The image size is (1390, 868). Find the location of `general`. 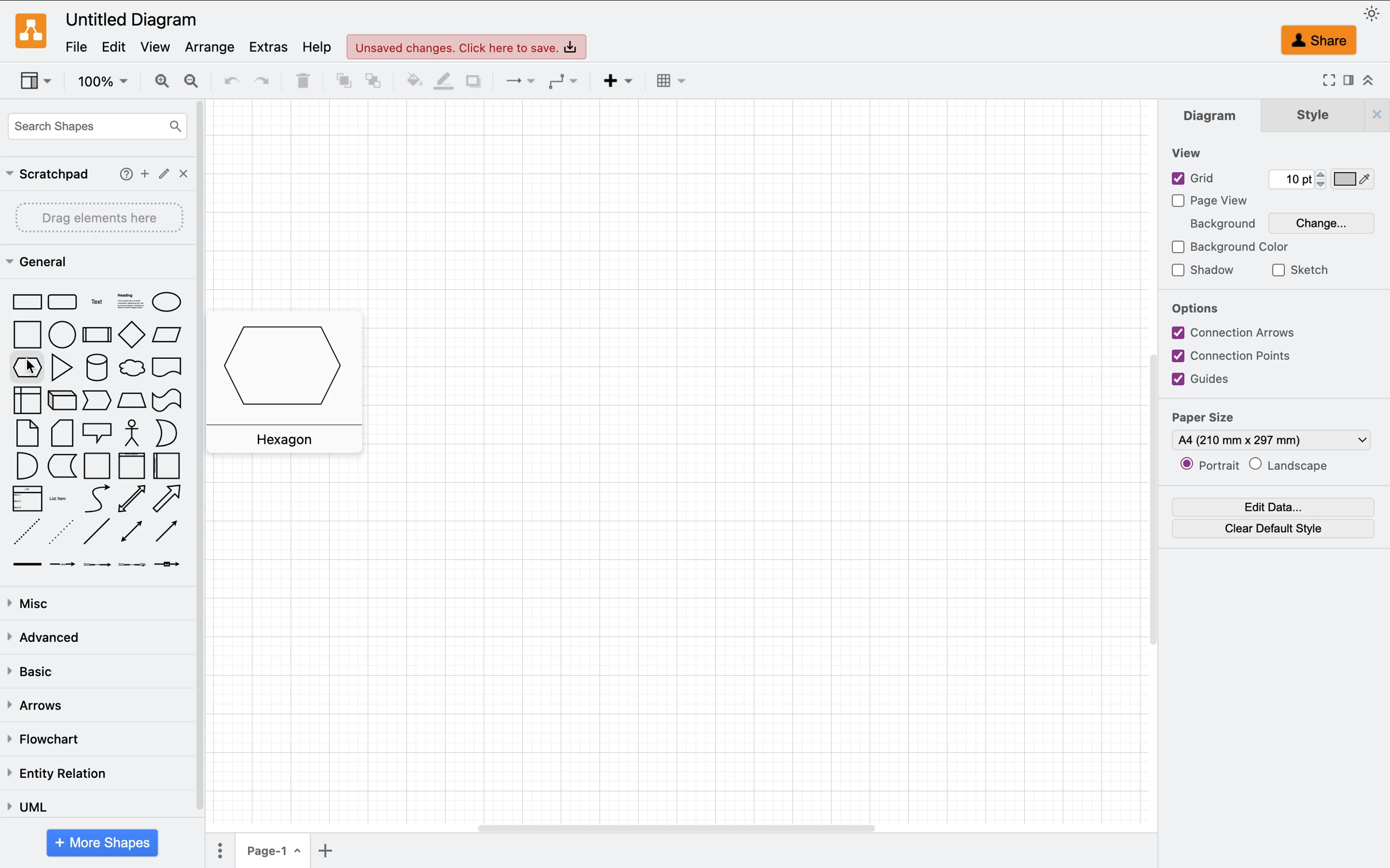

general is located at coordinates (45, 260).